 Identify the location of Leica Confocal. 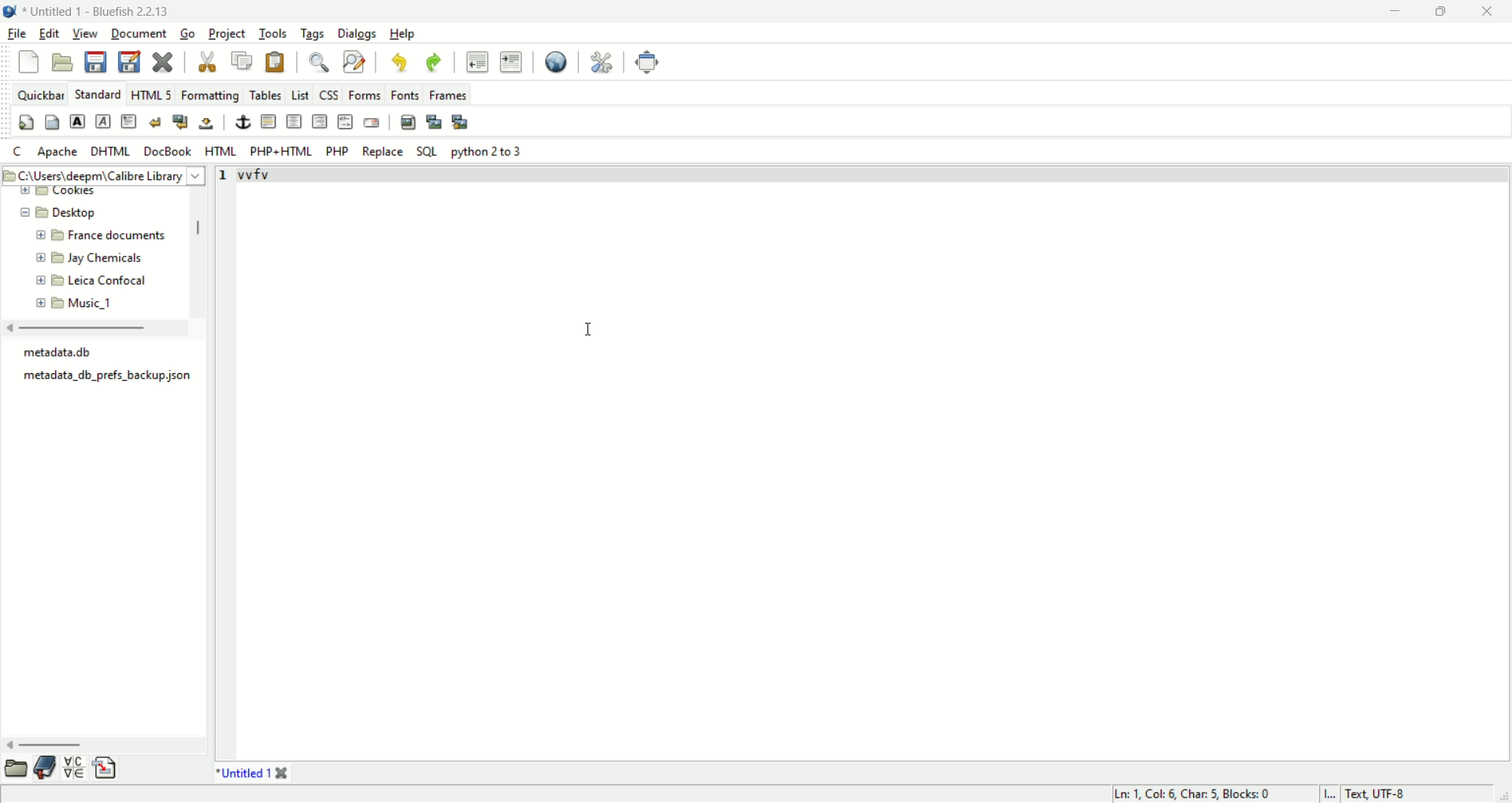
(109, 283).